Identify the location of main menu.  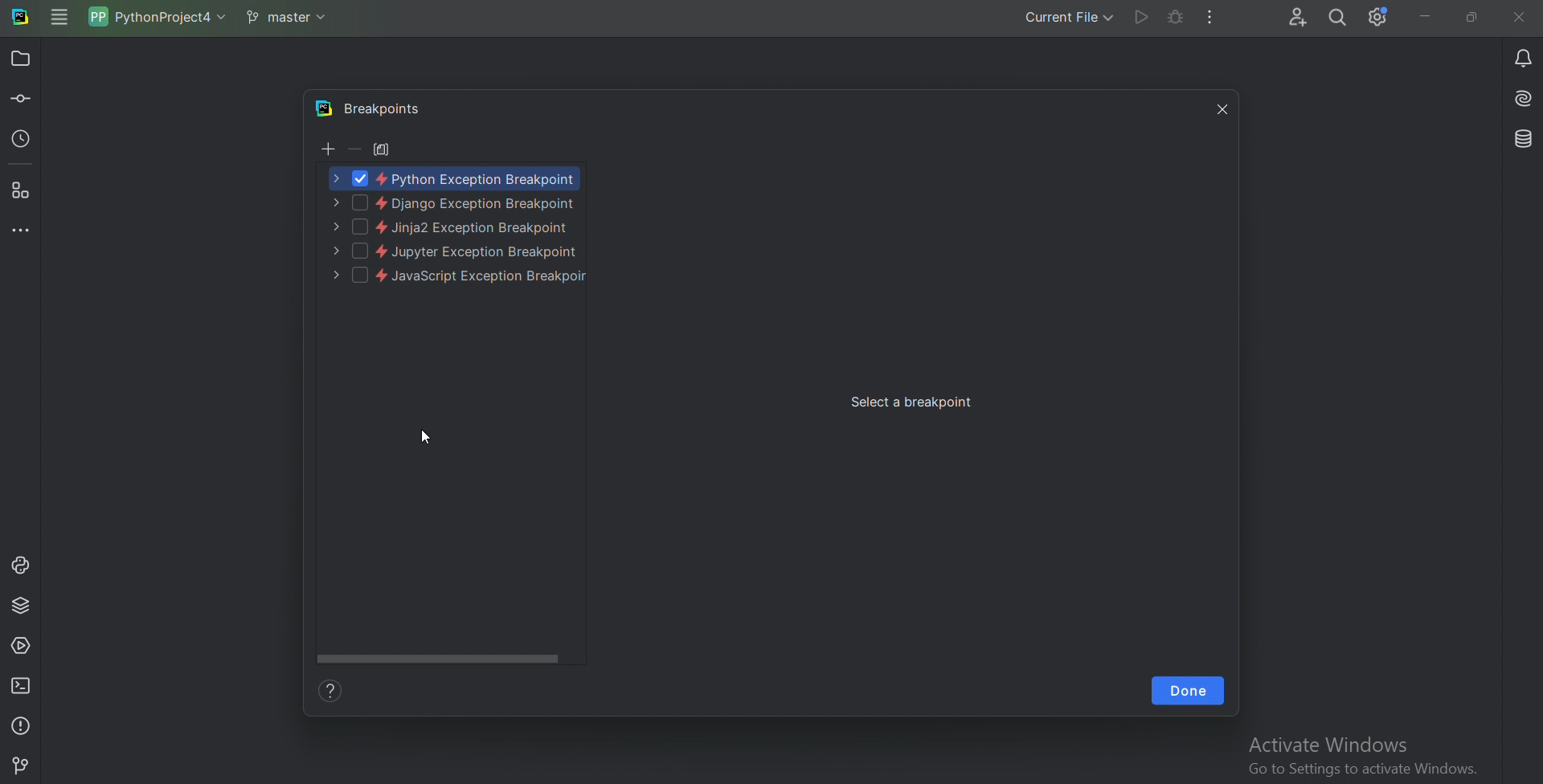
(59, 18).